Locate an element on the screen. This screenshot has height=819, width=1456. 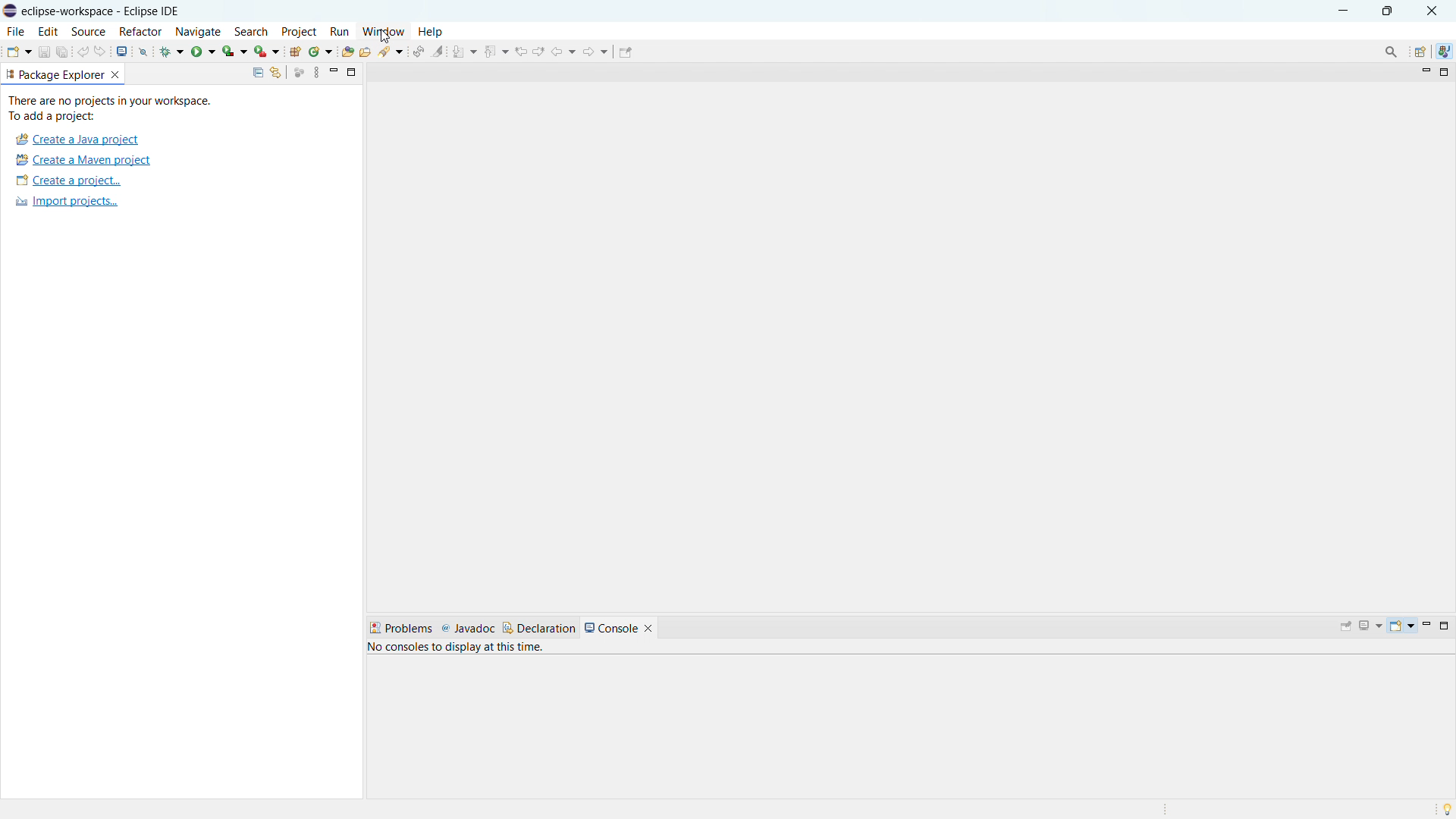
collapse all is located at coordinates (255, 72).